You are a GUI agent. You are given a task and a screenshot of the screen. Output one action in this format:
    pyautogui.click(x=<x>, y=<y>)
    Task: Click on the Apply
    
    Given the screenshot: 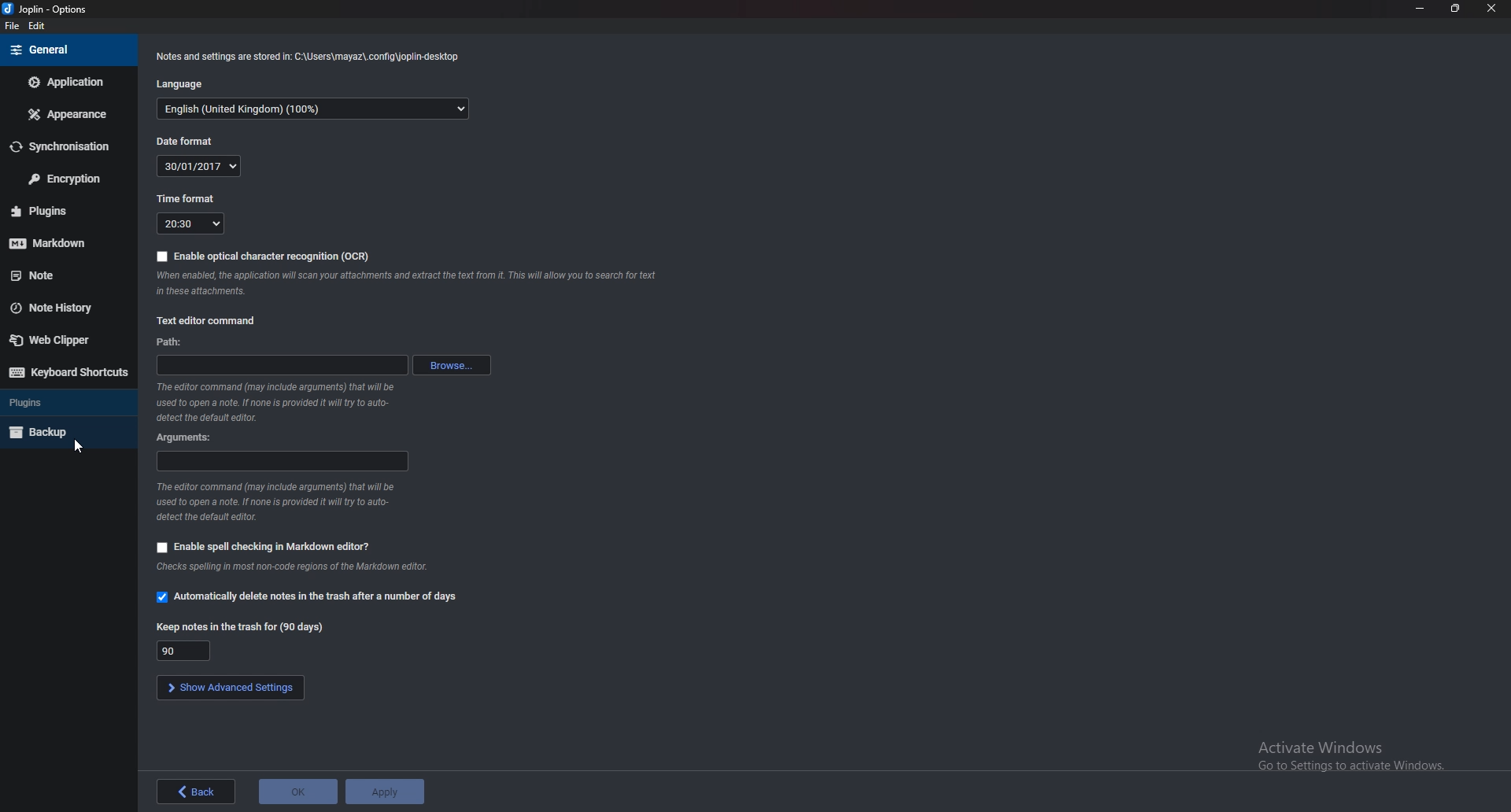 What is the action you would take?
    pyautogui.click(x=385, y=792)
    